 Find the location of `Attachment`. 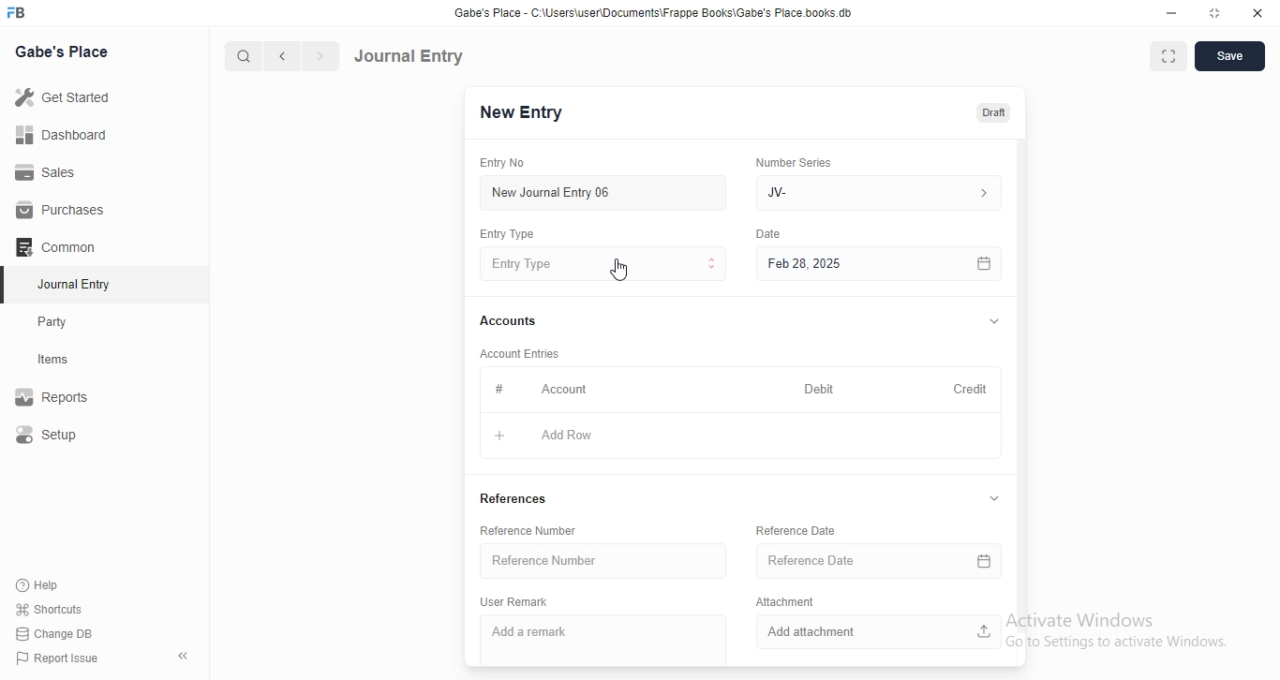

Attachment is located at coordinates (794, 601).